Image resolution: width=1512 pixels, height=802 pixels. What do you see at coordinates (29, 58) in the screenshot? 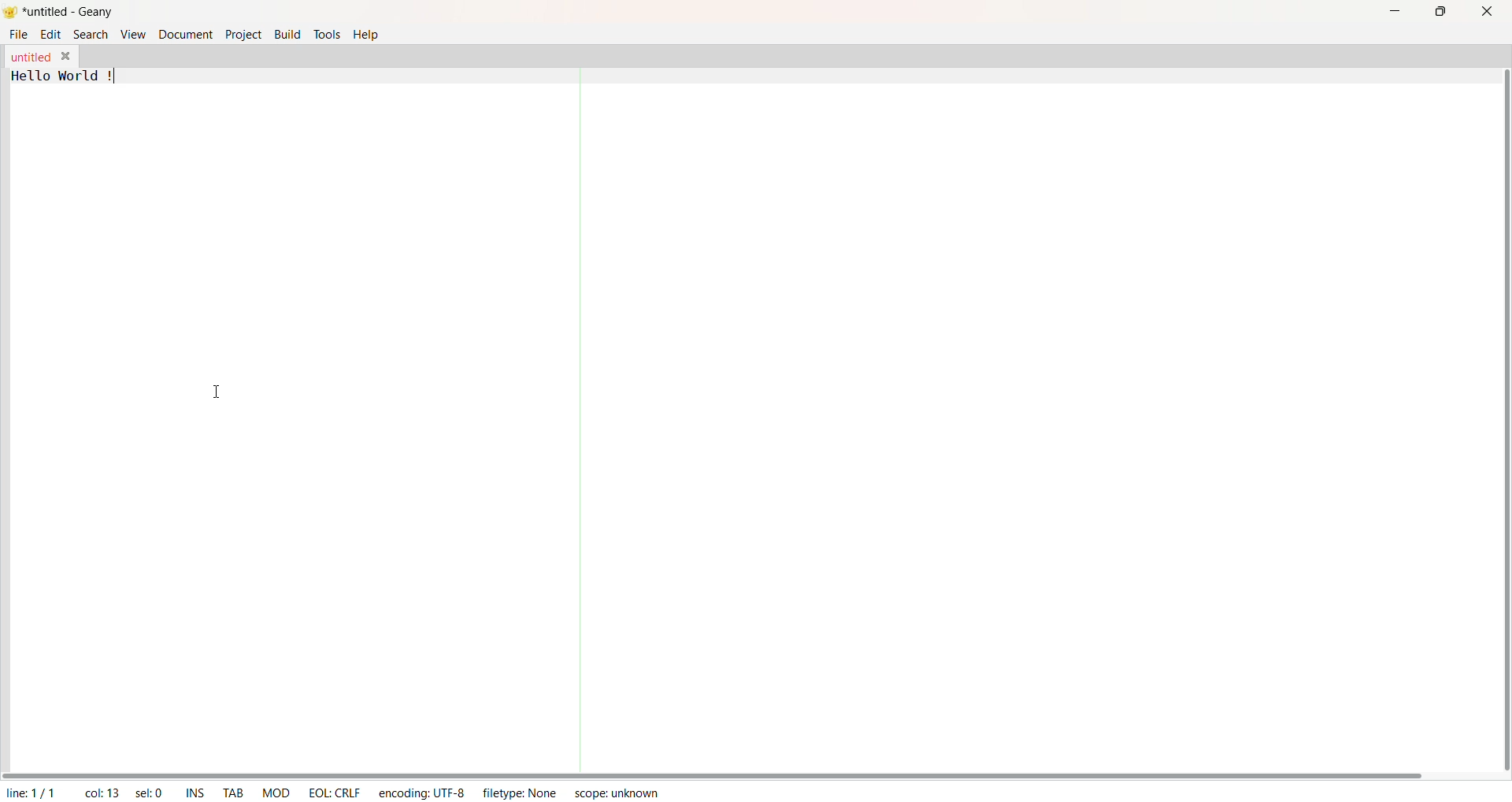
I see `File Name` at bounding box center [29, 58].